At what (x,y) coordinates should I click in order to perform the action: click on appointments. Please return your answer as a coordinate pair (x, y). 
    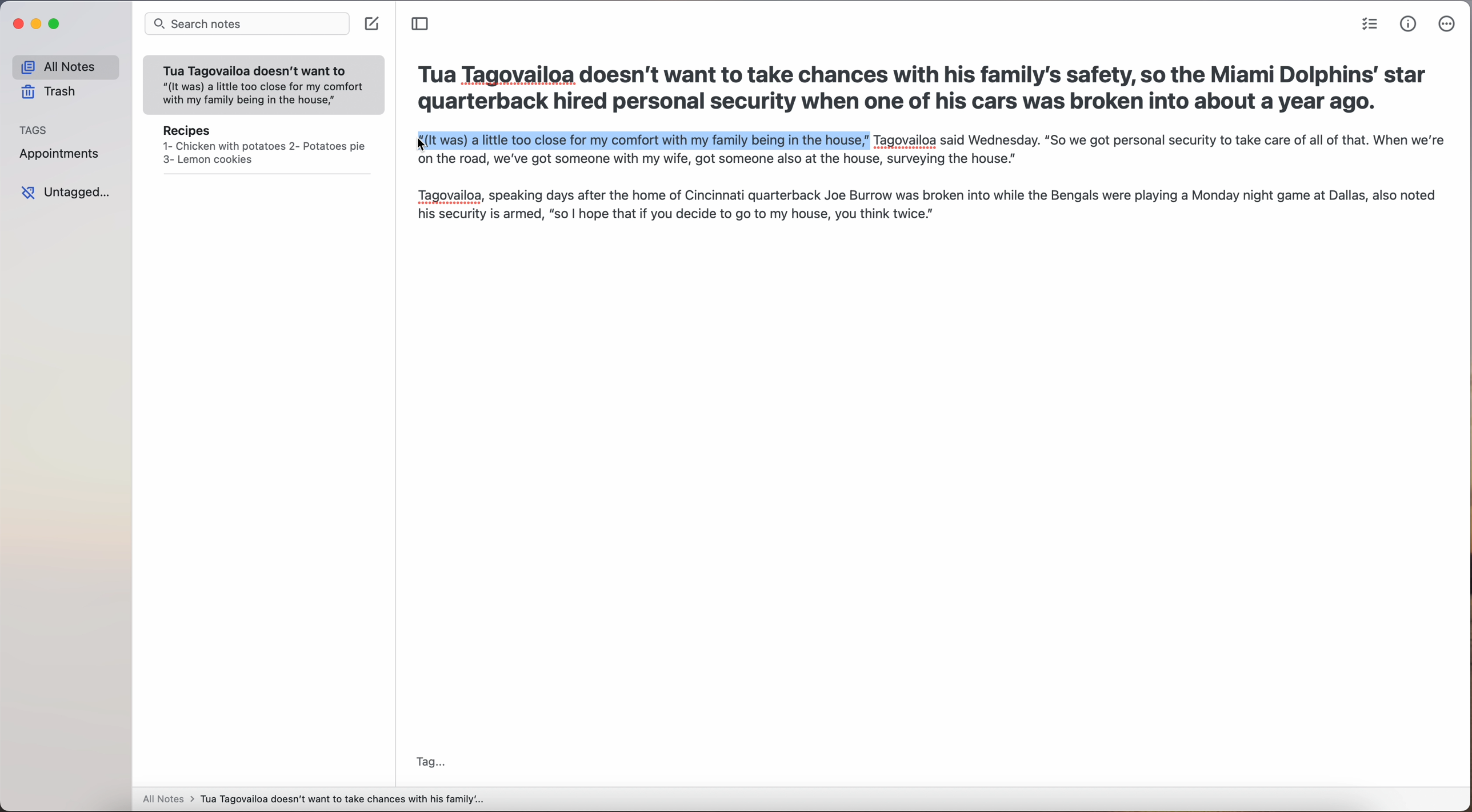
    Looking at the image, I should click on (63, 155).